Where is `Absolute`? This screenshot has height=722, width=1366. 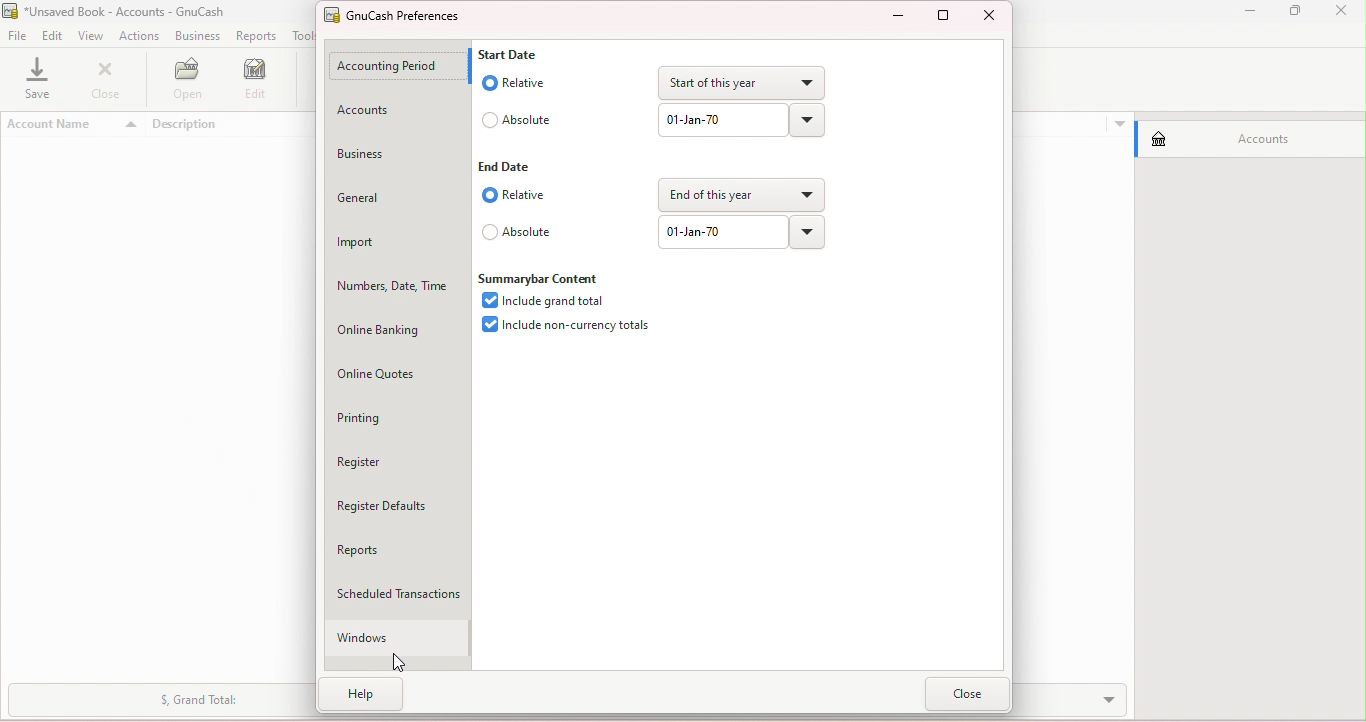
Absolute is located at coordinates (520, 234).